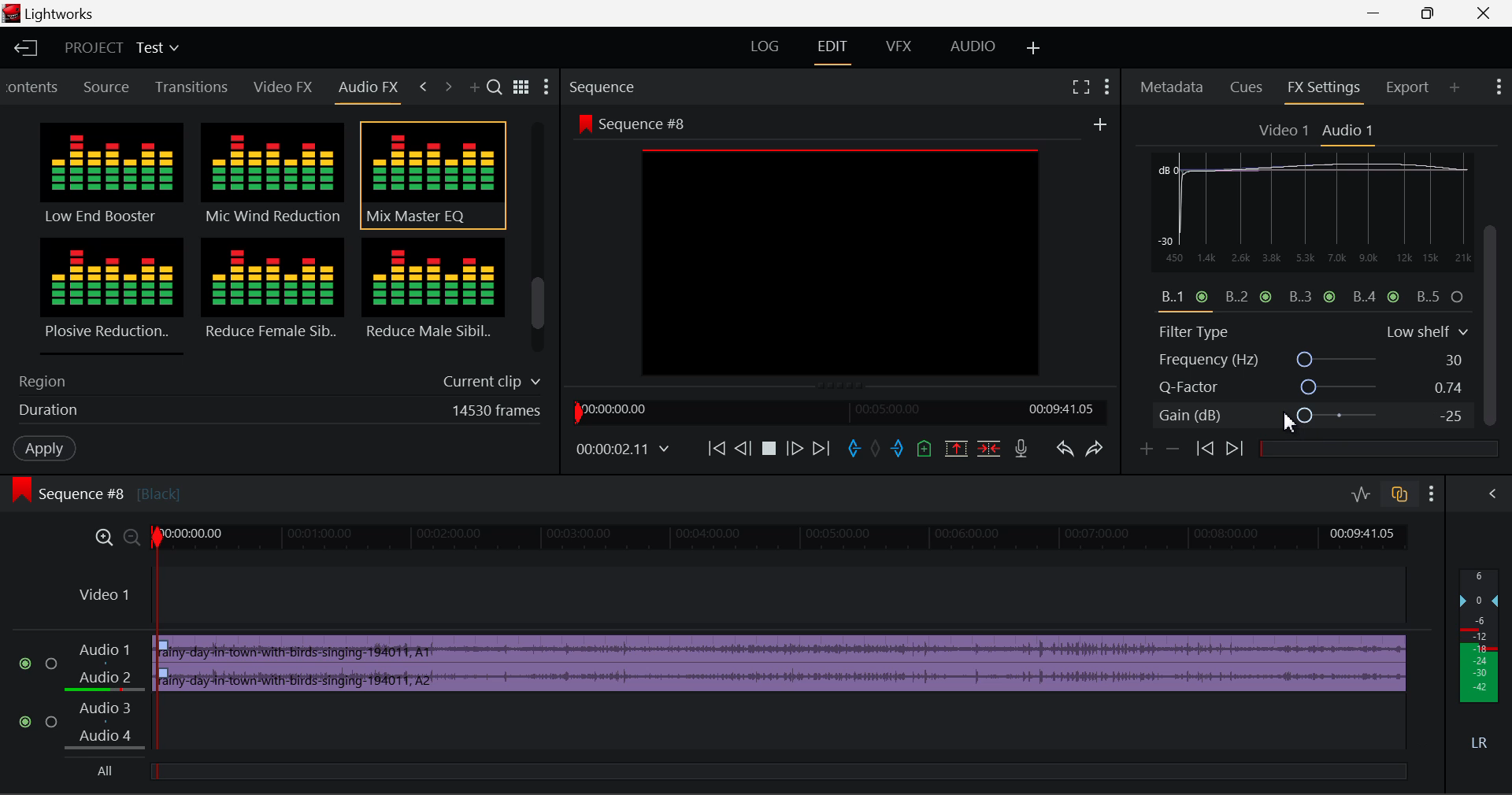 Image resolution: width=1512 pixels, height=795 pixels. Describe the element at coordinates (715, 449) in the screenshot. I see `To Start` at that location.